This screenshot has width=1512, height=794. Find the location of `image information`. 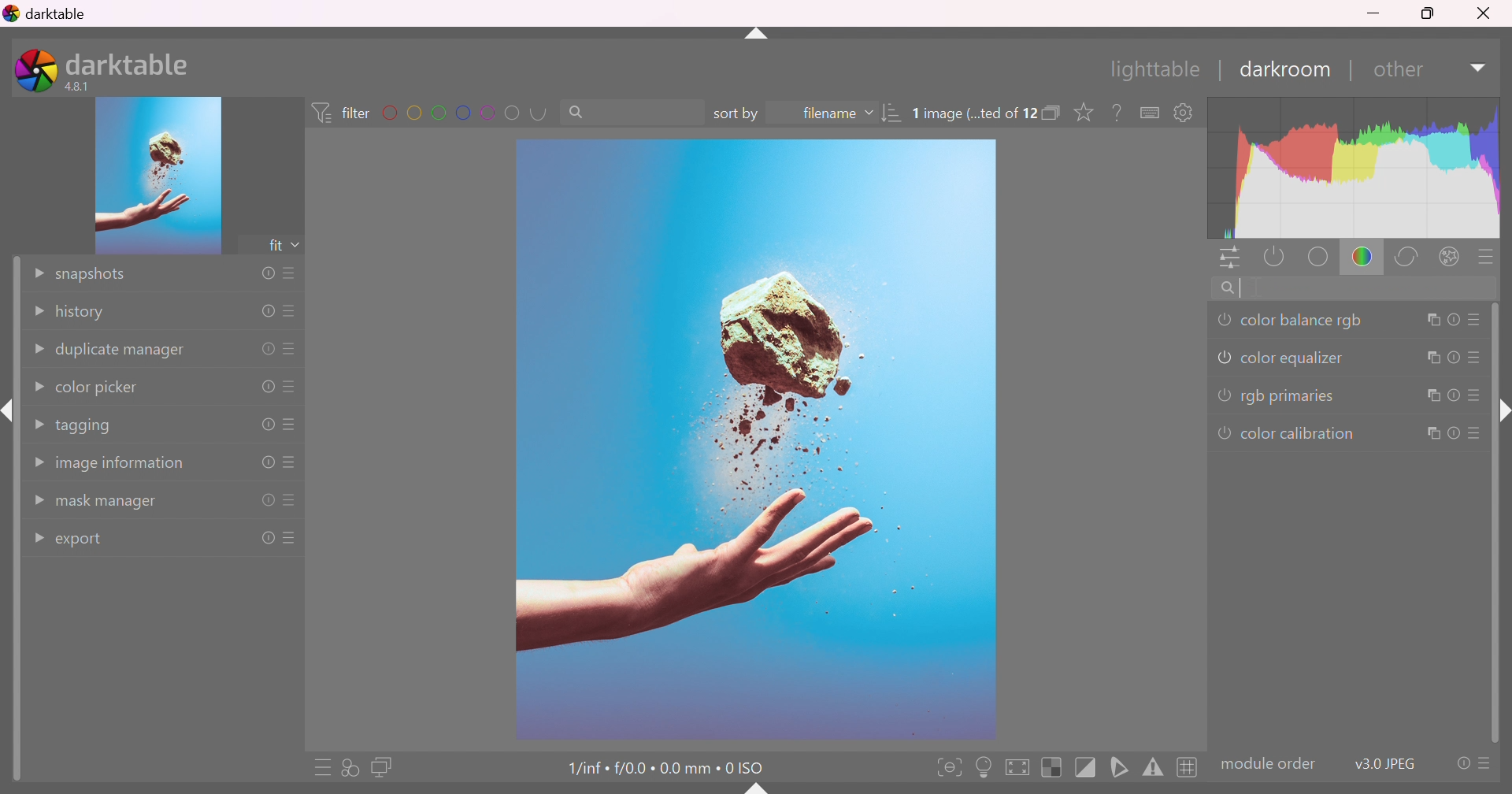

image information is located at coordinates (124, 465).